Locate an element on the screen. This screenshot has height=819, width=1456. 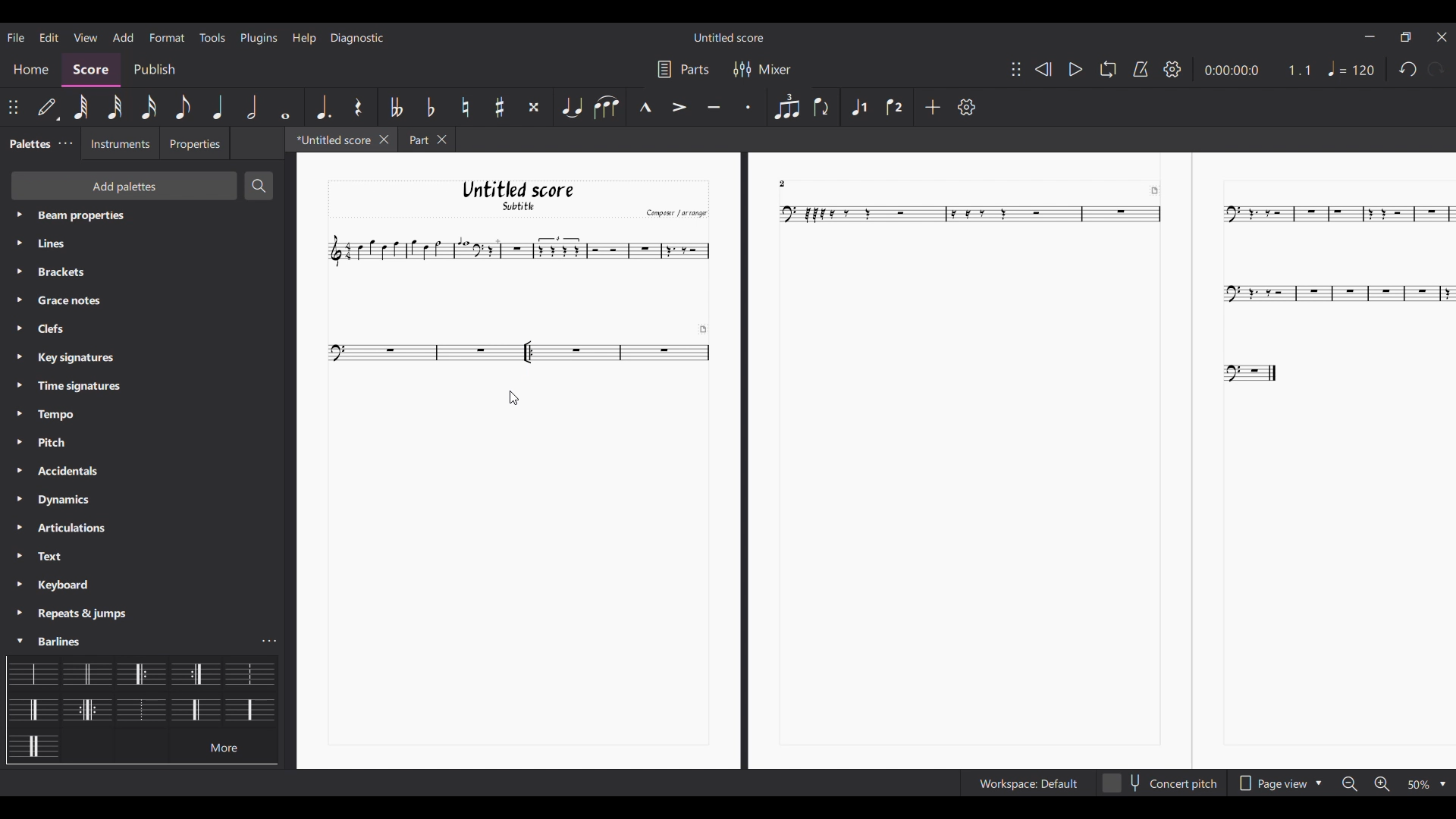
Toggle double flat is located at coordinates (394, 106).